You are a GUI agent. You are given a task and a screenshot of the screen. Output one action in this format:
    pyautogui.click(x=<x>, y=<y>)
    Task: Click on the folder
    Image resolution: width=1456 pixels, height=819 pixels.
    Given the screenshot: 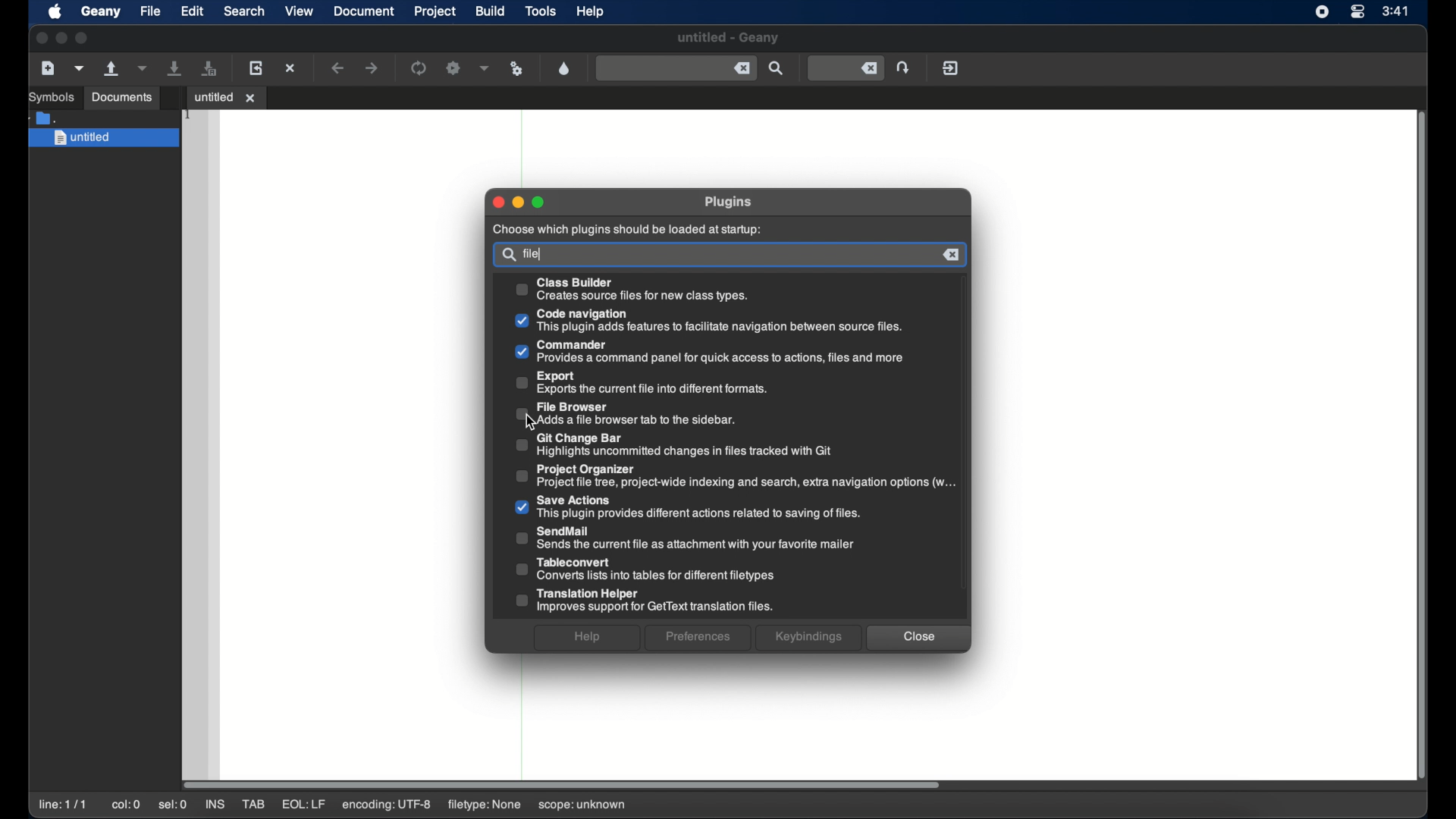 What is the action you would take?
    pyautogui.click(x=43, y=118)
    